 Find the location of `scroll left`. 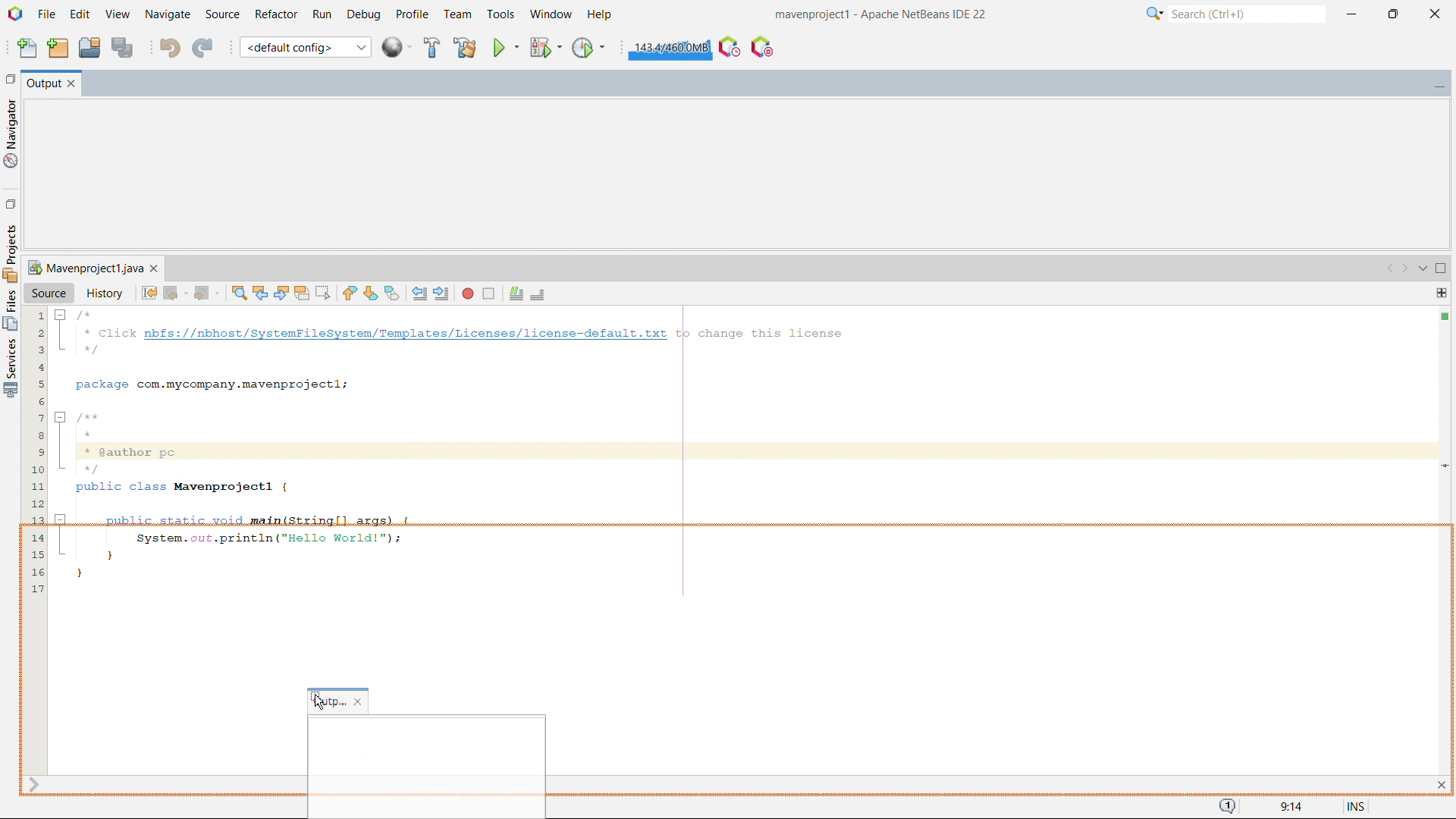

scroll left is located at coordinates (1391, 269).